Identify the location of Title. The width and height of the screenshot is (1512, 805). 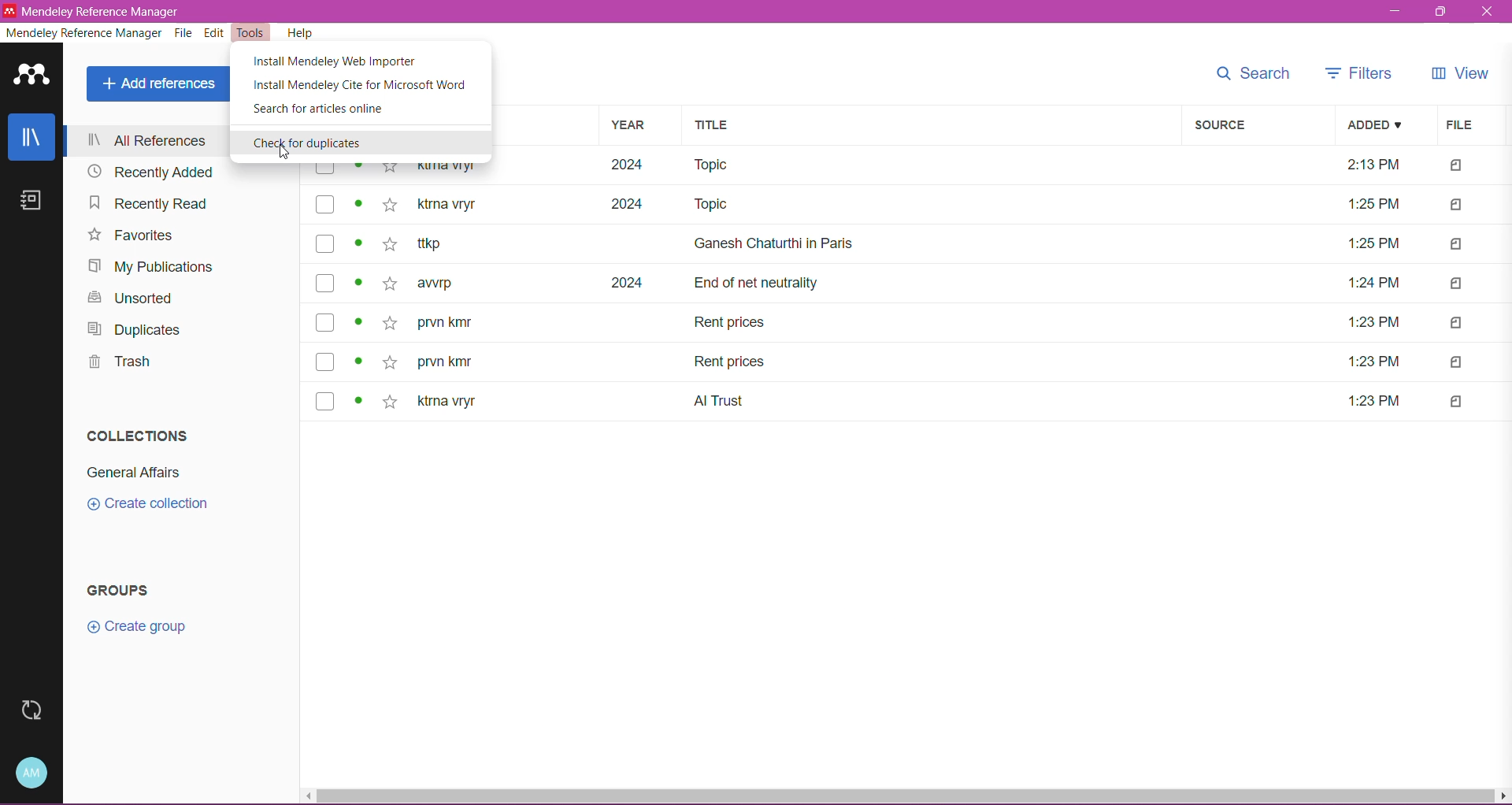
(721, 206).